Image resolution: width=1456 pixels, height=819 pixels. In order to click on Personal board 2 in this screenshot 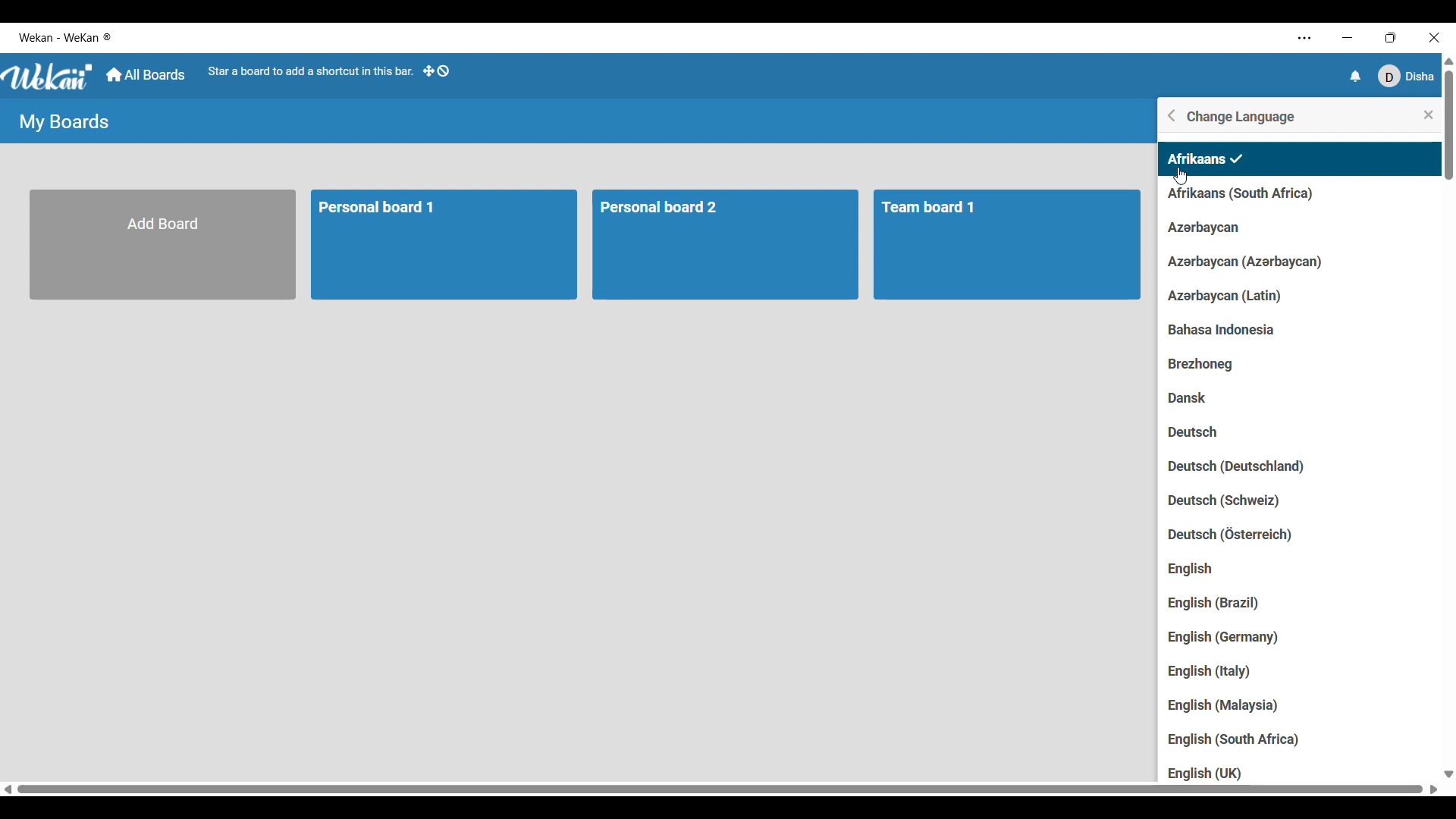, I will do `click(730, 246)`.